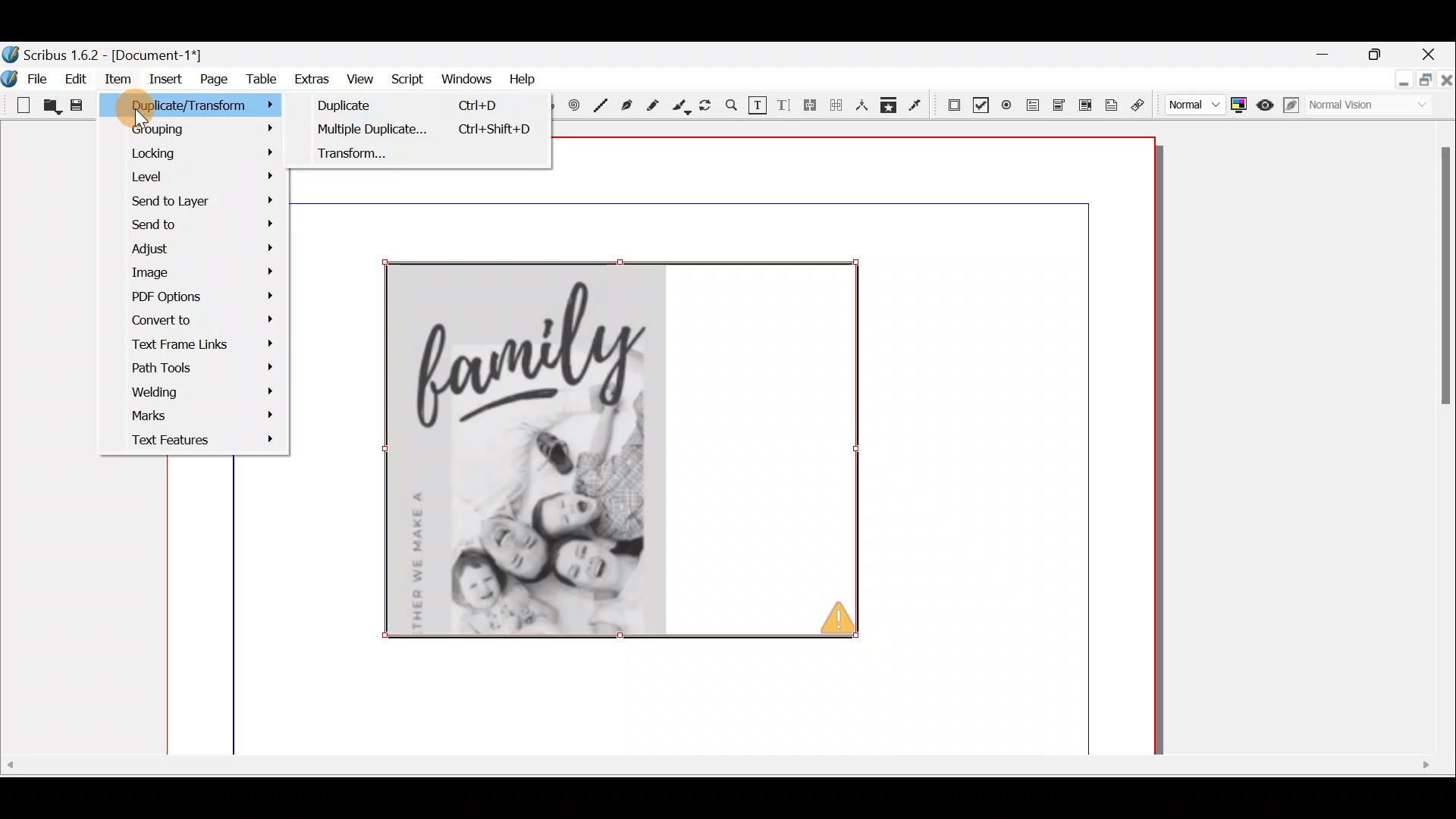  Describe the element at coordinates (1445, 88) in the screenshot. I see `Close` at that location.